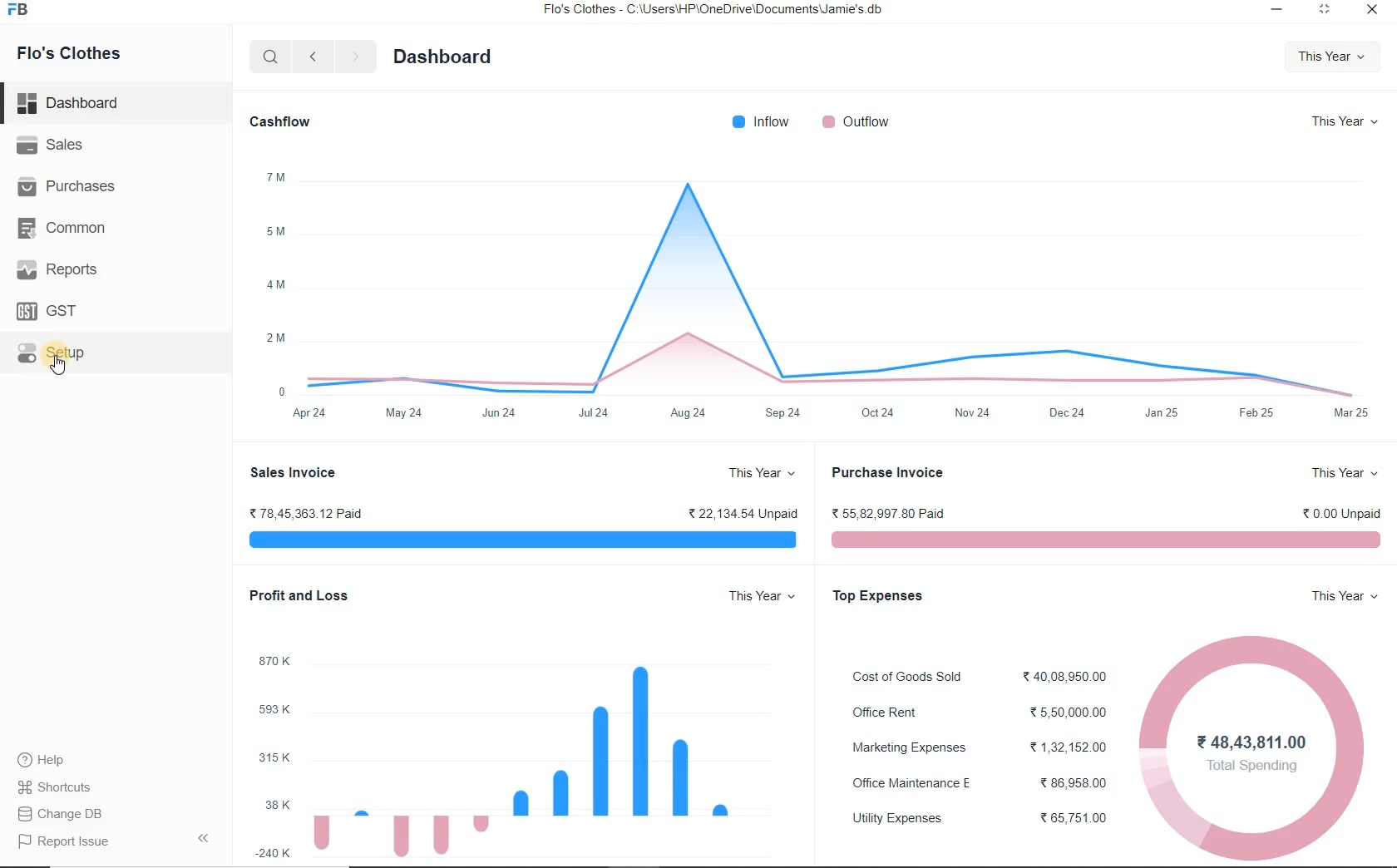  I want to click on Logo, so click(20, 9).